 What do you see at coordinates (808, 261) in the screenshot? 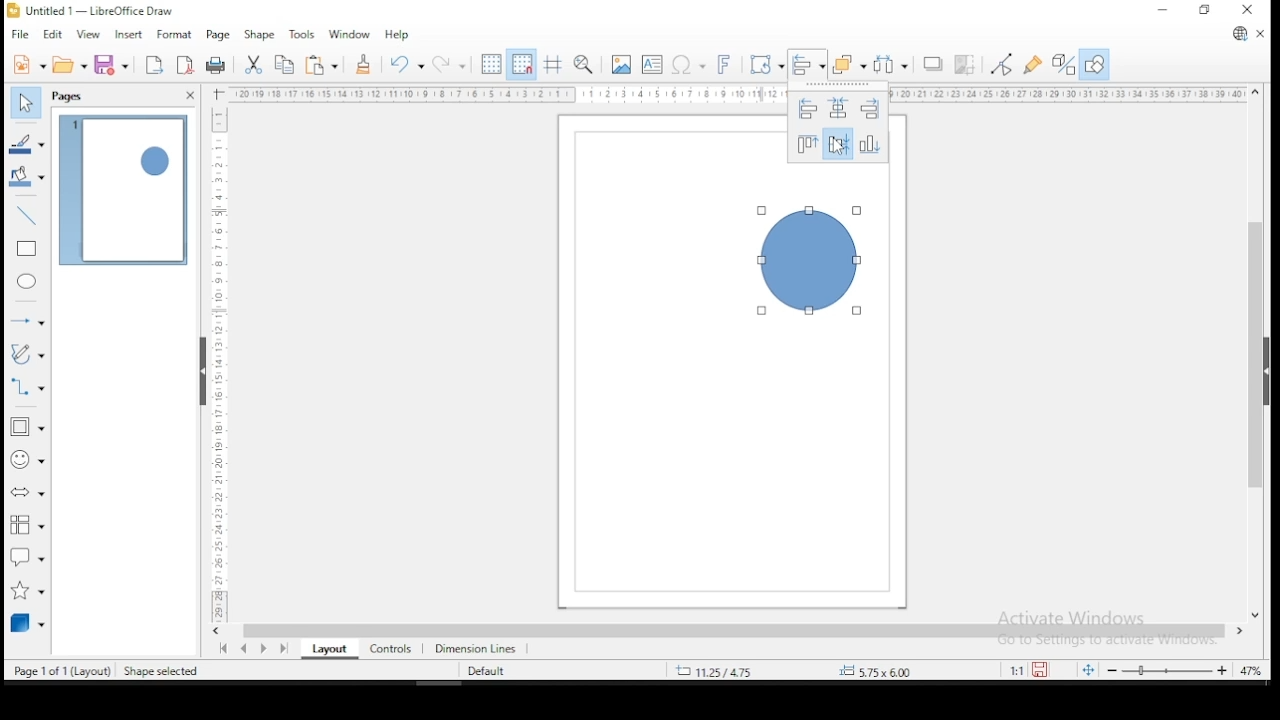
I see `shape` at bounding box center [808, 261].